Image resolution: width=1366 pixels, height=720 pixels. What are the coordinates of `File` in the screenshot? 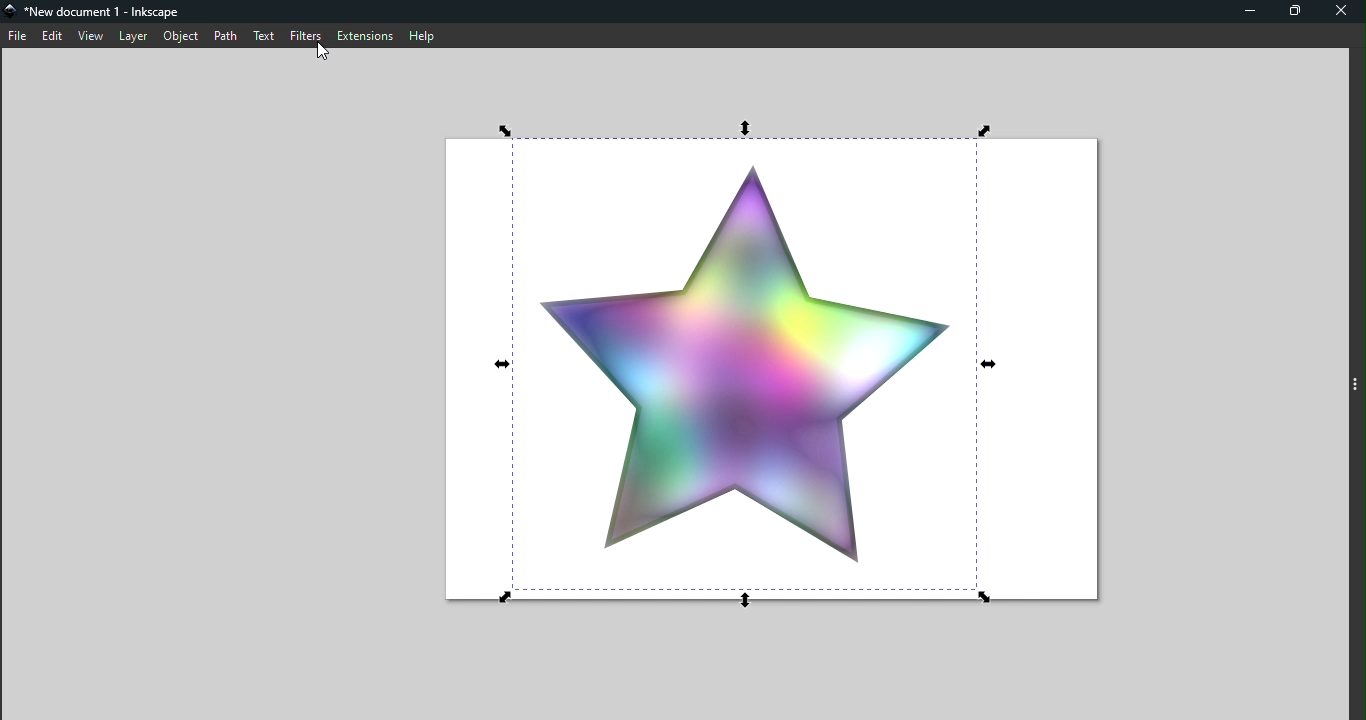 It's located at (17, 35).